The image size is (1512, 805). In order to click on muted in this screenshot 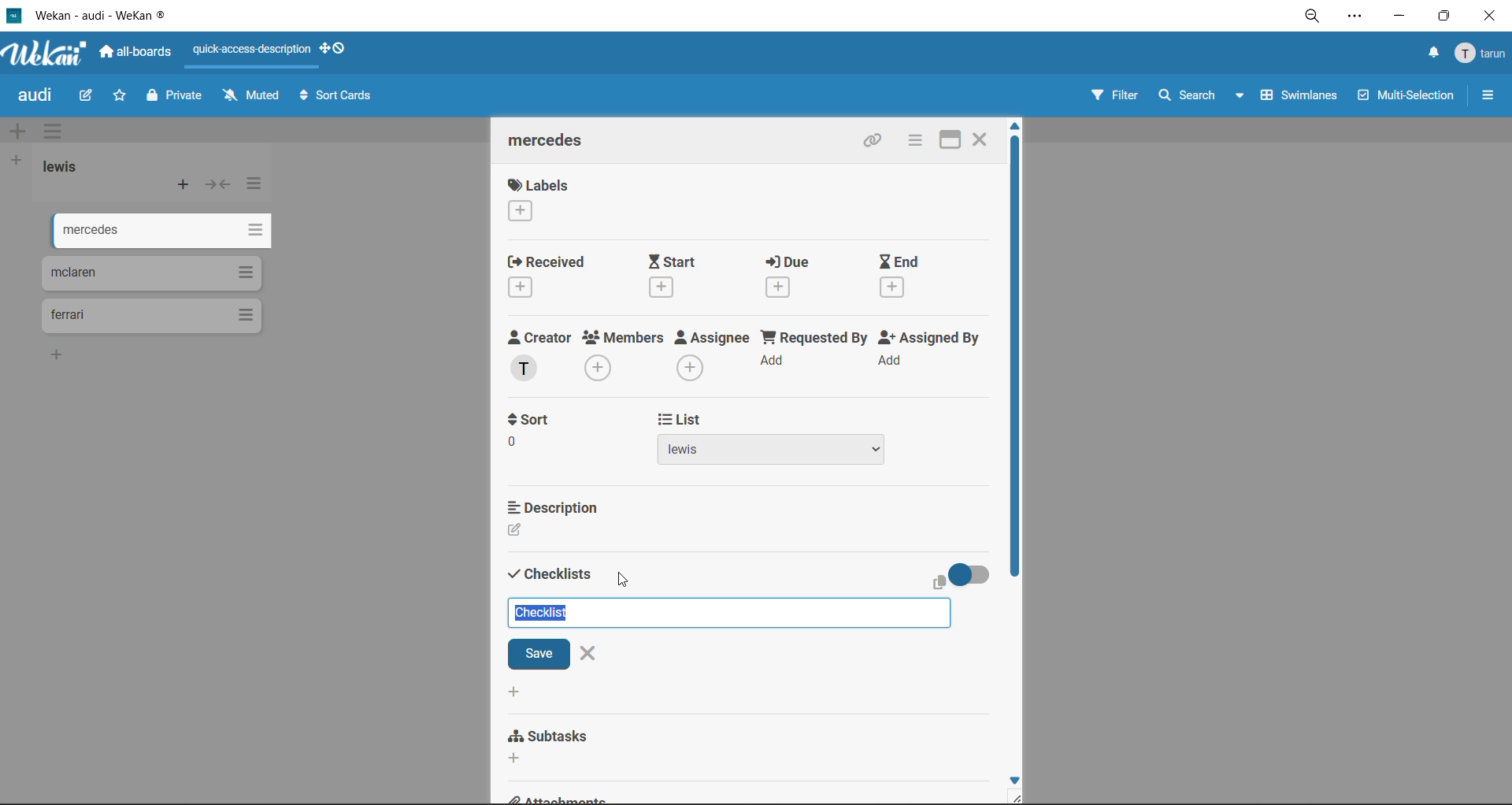, I will do `click(250, 96)`.